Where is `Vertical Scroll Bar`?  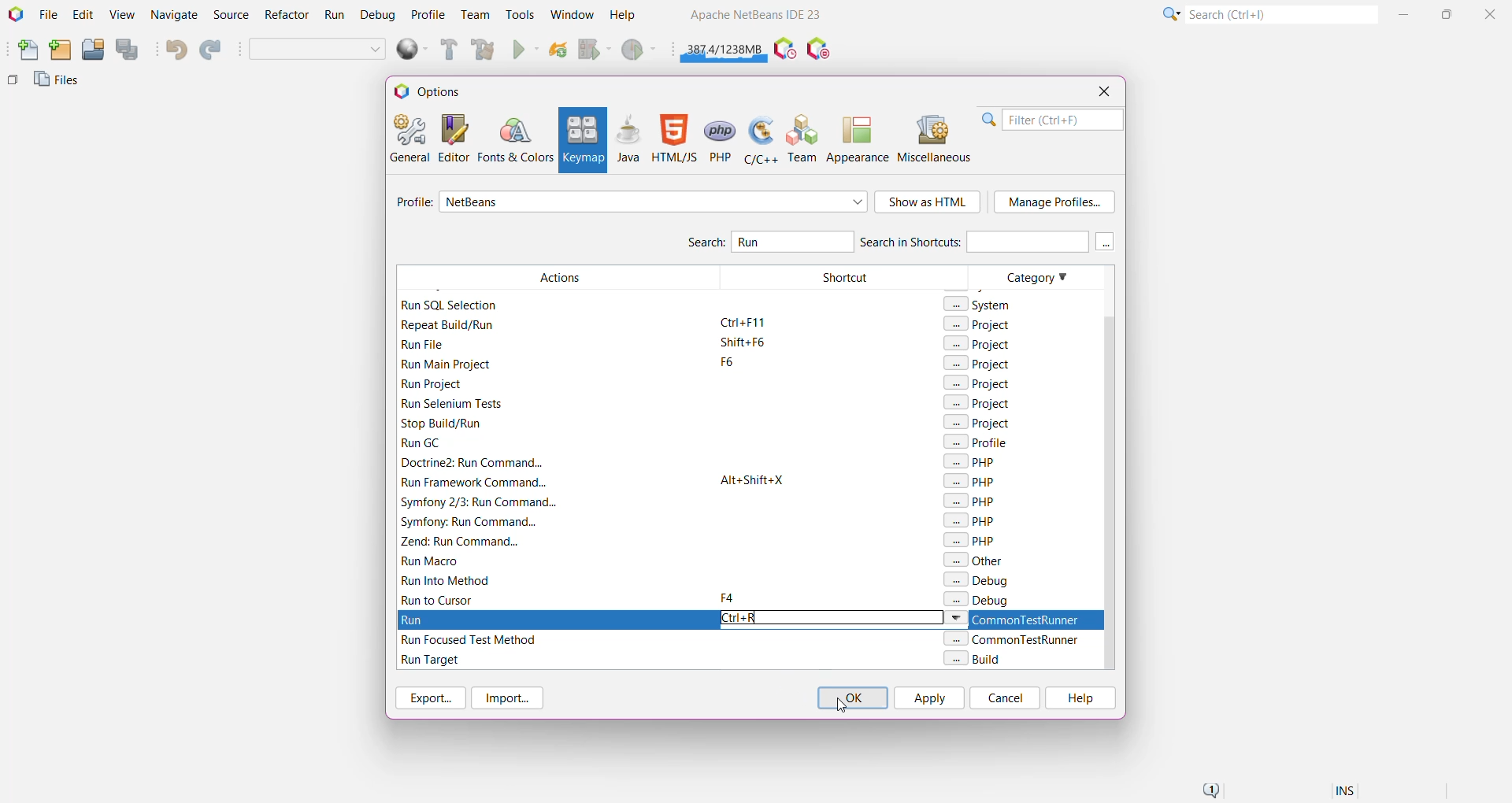
Vertical Scroll Bar is located at coordinates (1106, 467).